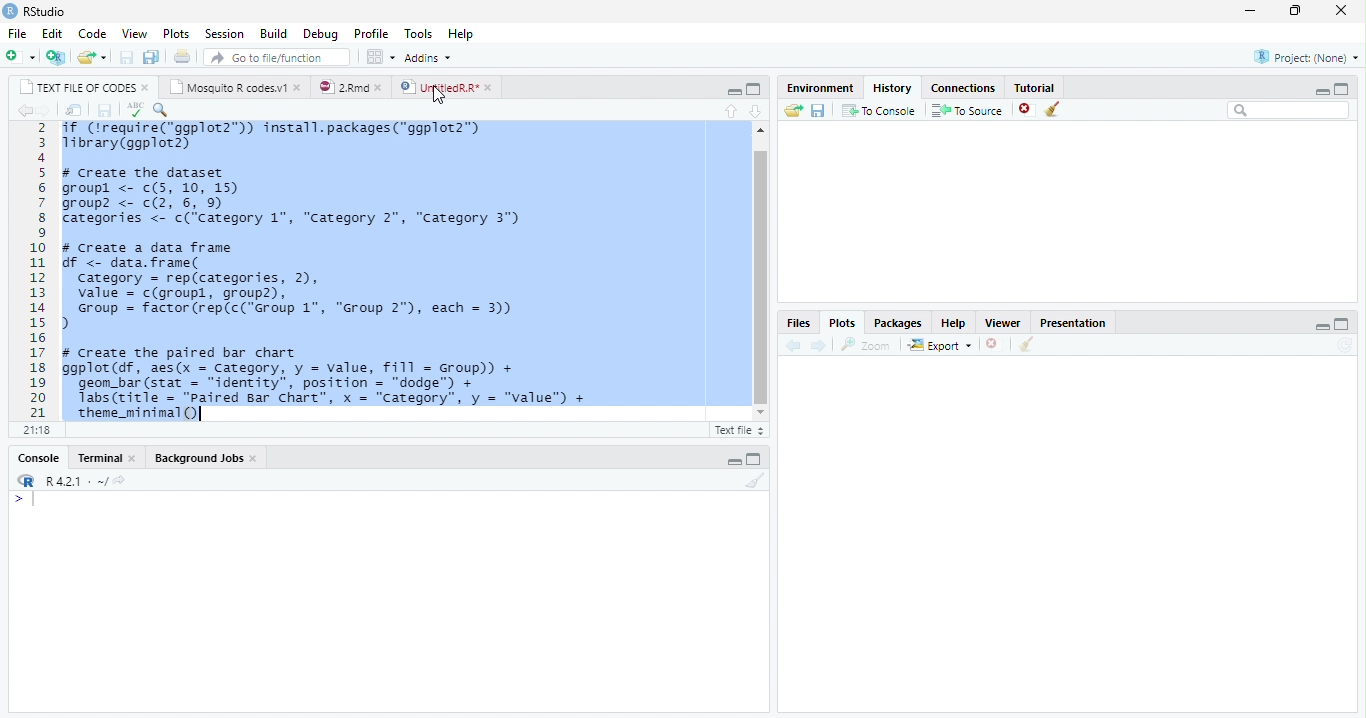  Describe the element at coordinates (1306, 55) in the screenshot. I see `project (none)` at that location.